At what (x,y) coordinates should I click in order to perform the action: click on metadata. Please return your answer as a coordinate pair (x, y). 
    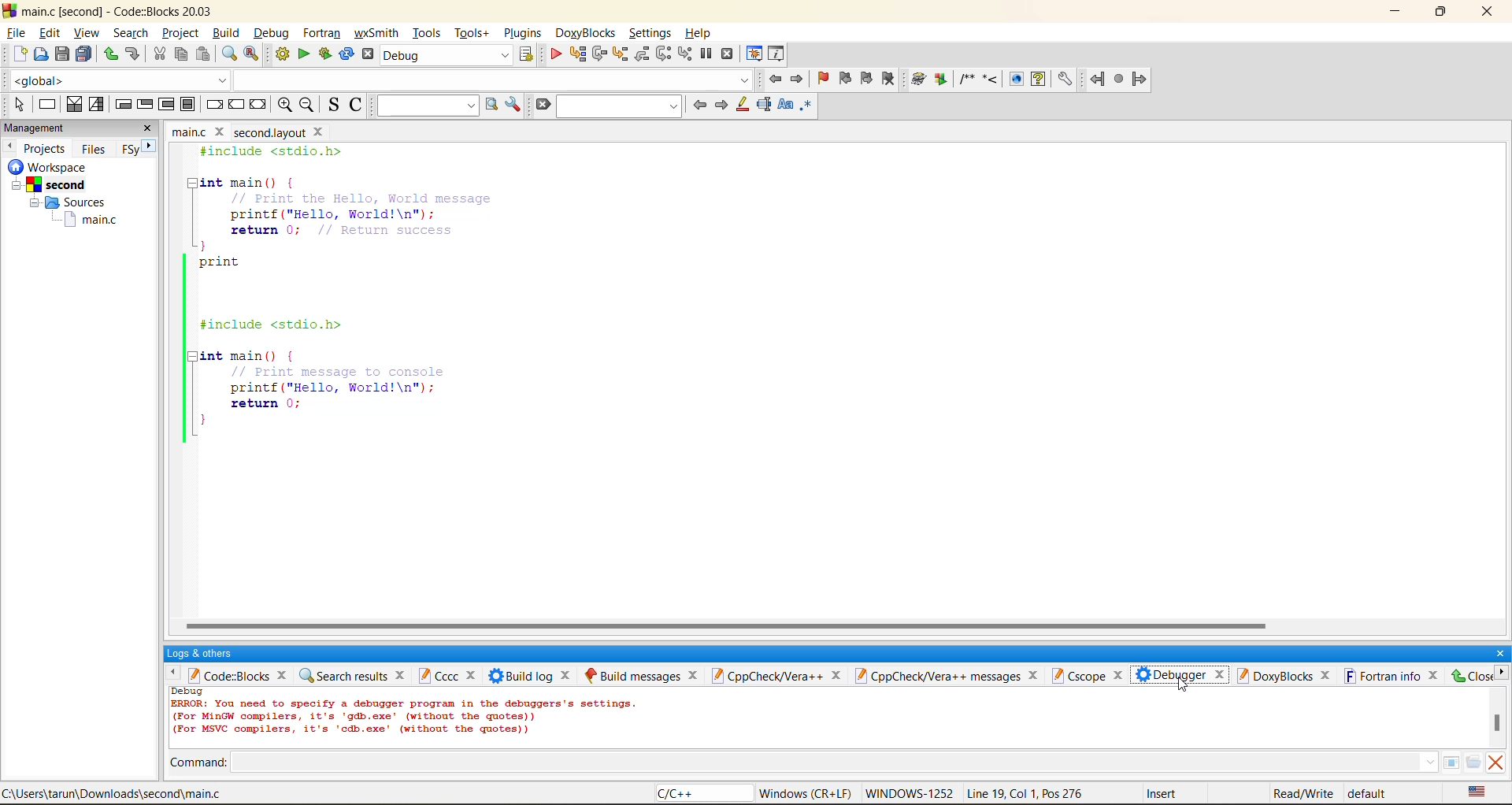
    Looking at the image, I should click on (1077, 792).